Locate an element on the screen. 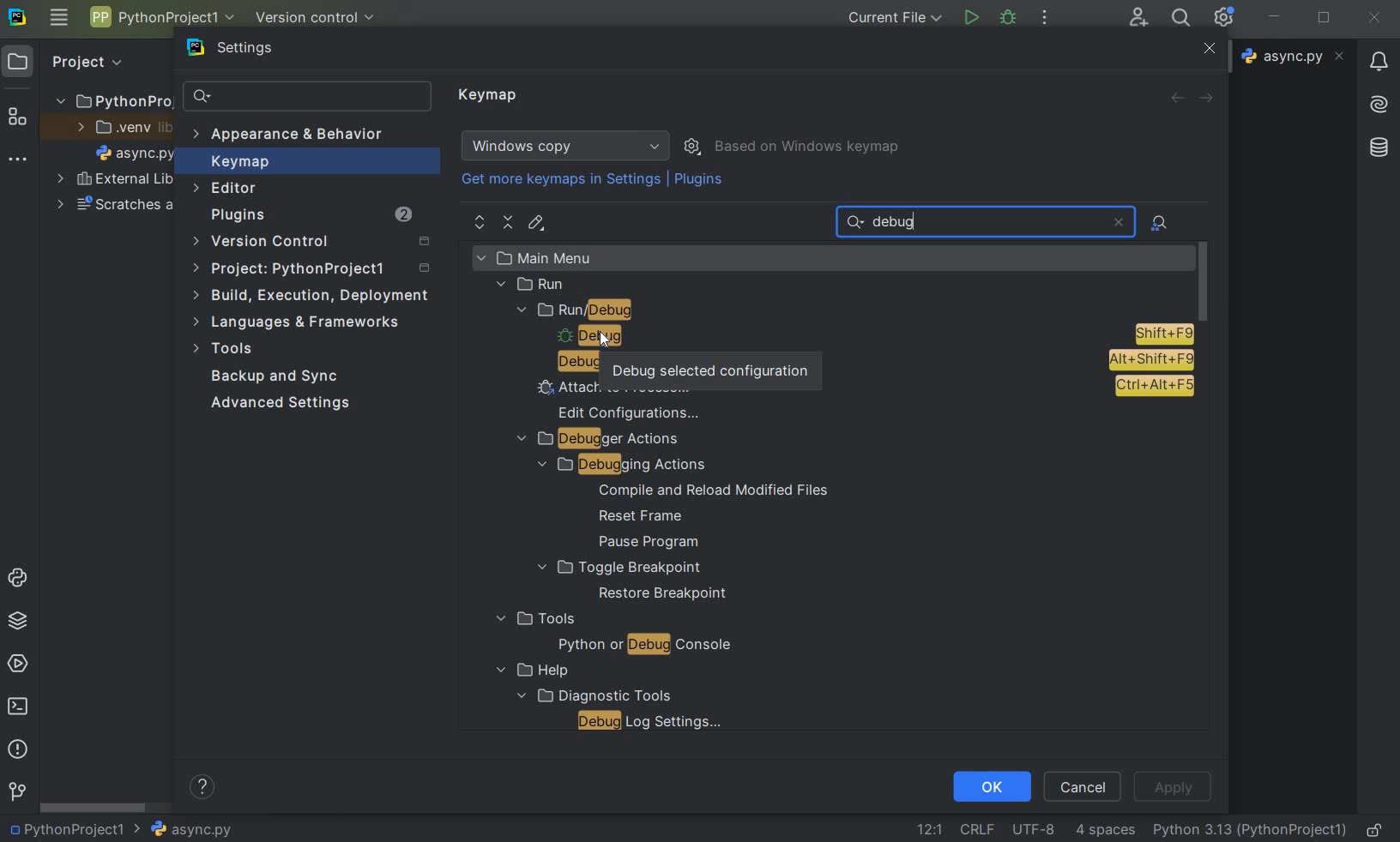 The image size is (1400, 842). project name is located at coordinates (112, 98).